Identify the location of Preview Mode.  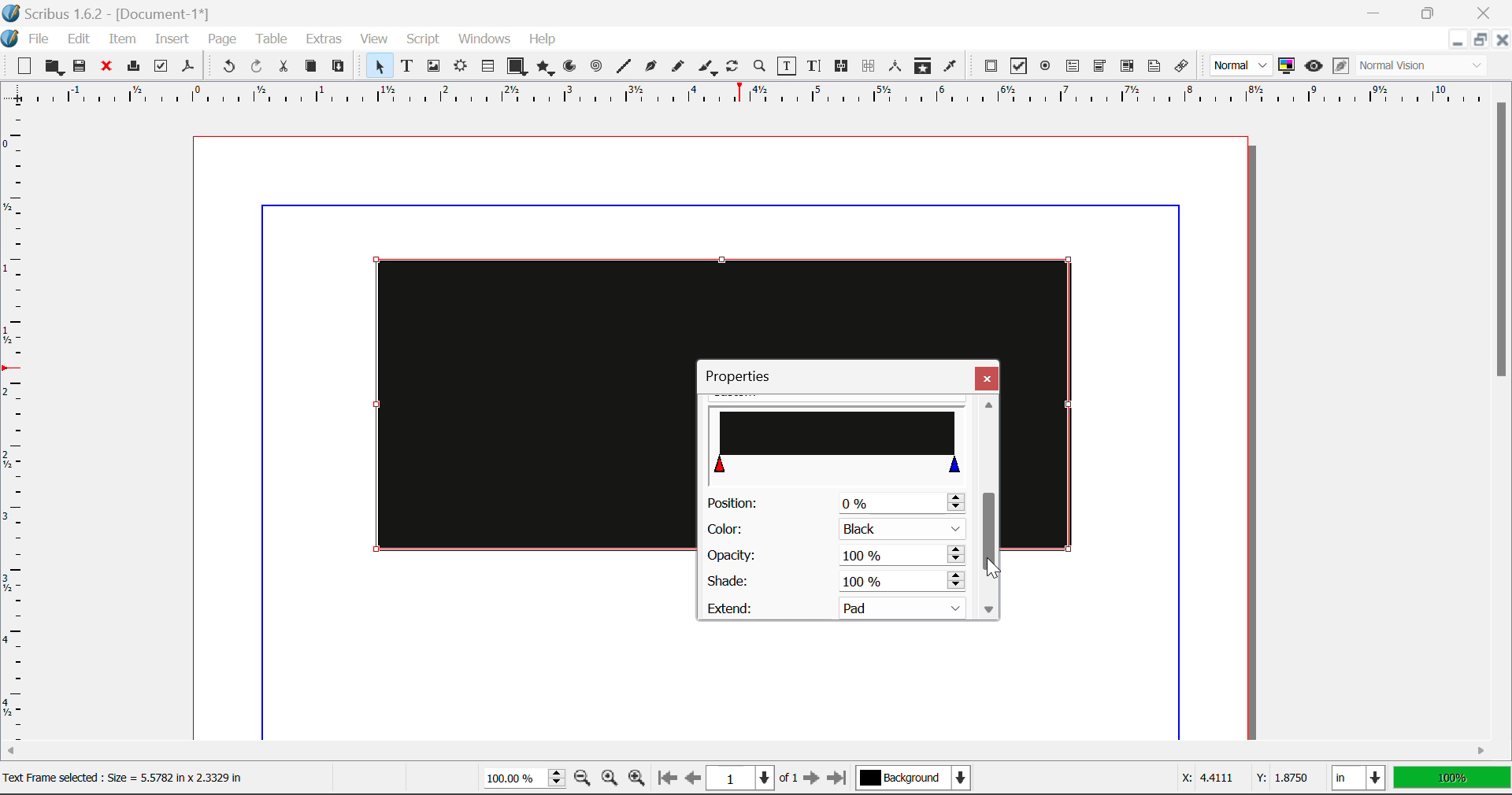
(1314, 66).